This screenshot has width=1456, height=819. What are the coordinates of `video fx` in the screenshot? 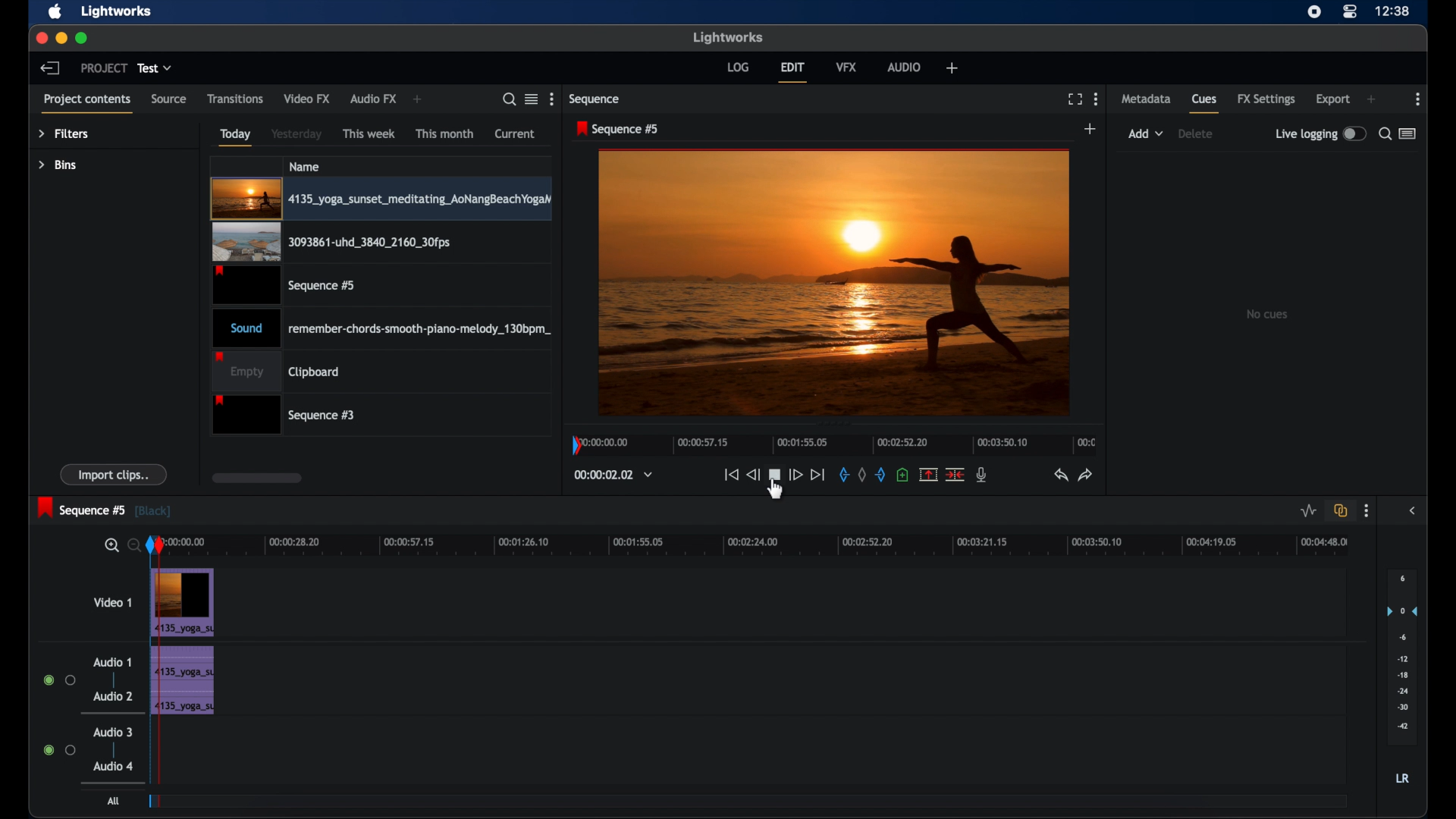 It's located at (308, 99).